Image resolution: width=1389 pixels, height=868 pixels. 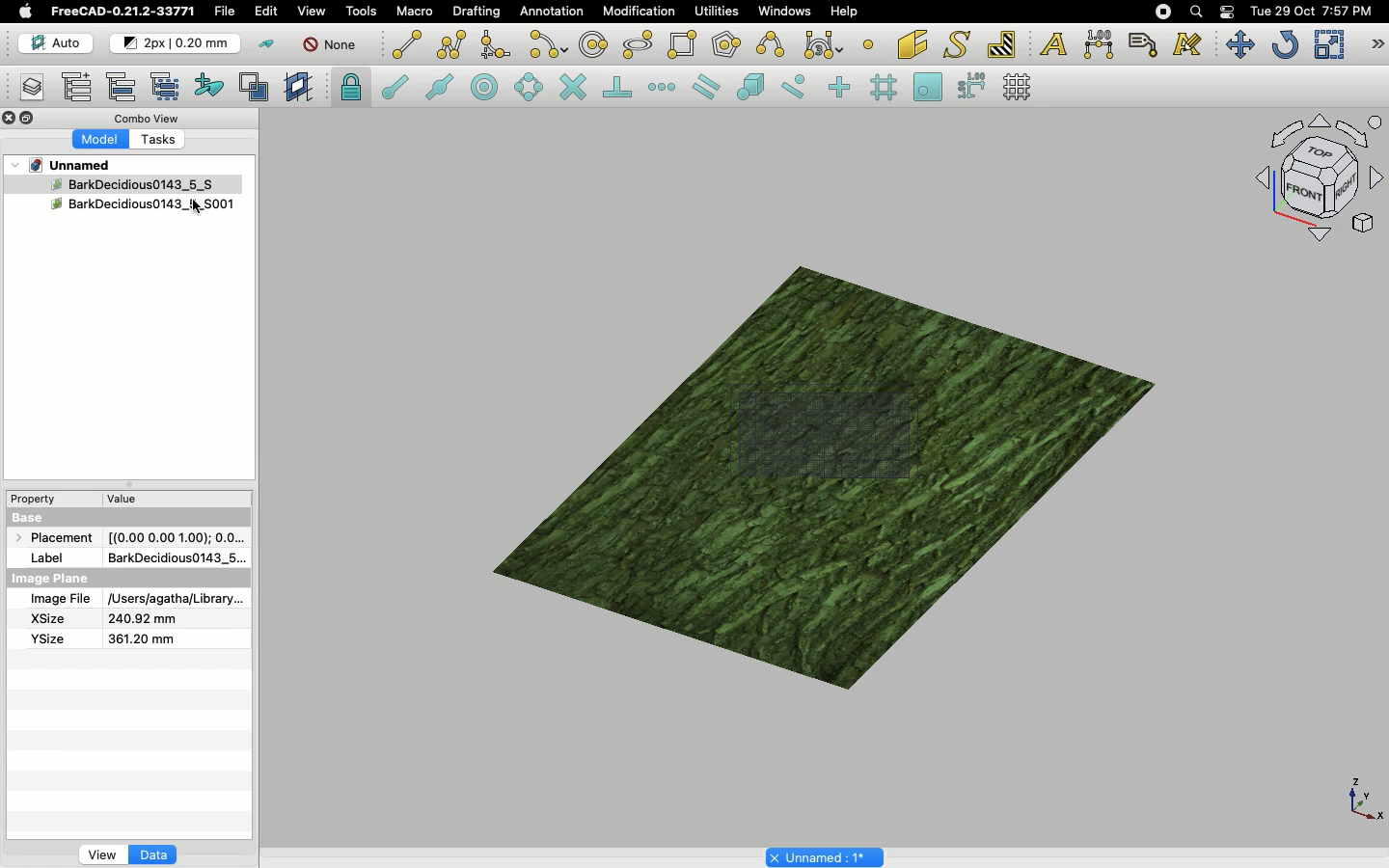 I want to click on Line, so click(x=407, y=44).